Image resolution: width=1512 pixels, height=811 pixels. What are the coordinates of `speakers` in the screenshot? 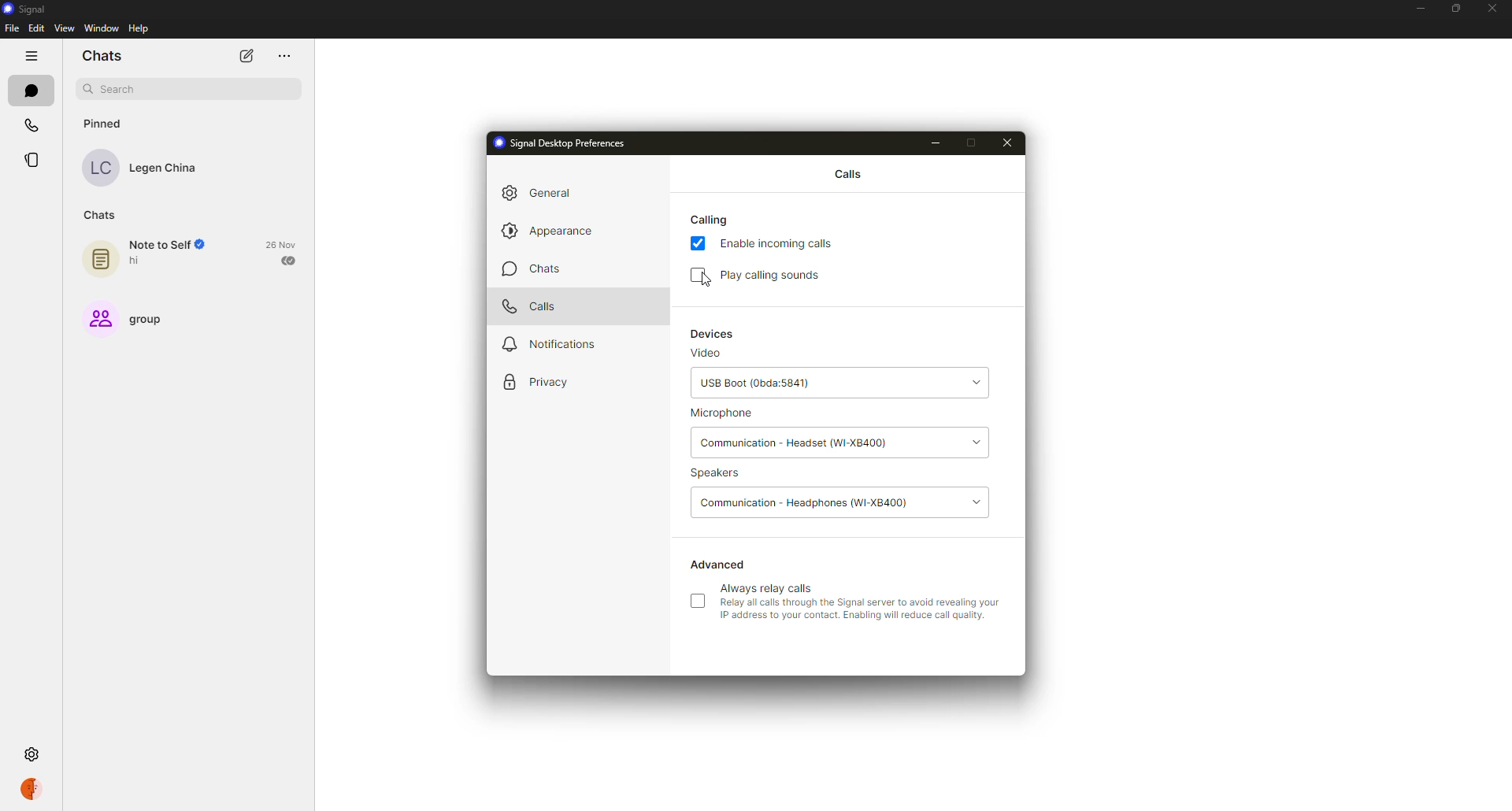 It's located at (721, 473).